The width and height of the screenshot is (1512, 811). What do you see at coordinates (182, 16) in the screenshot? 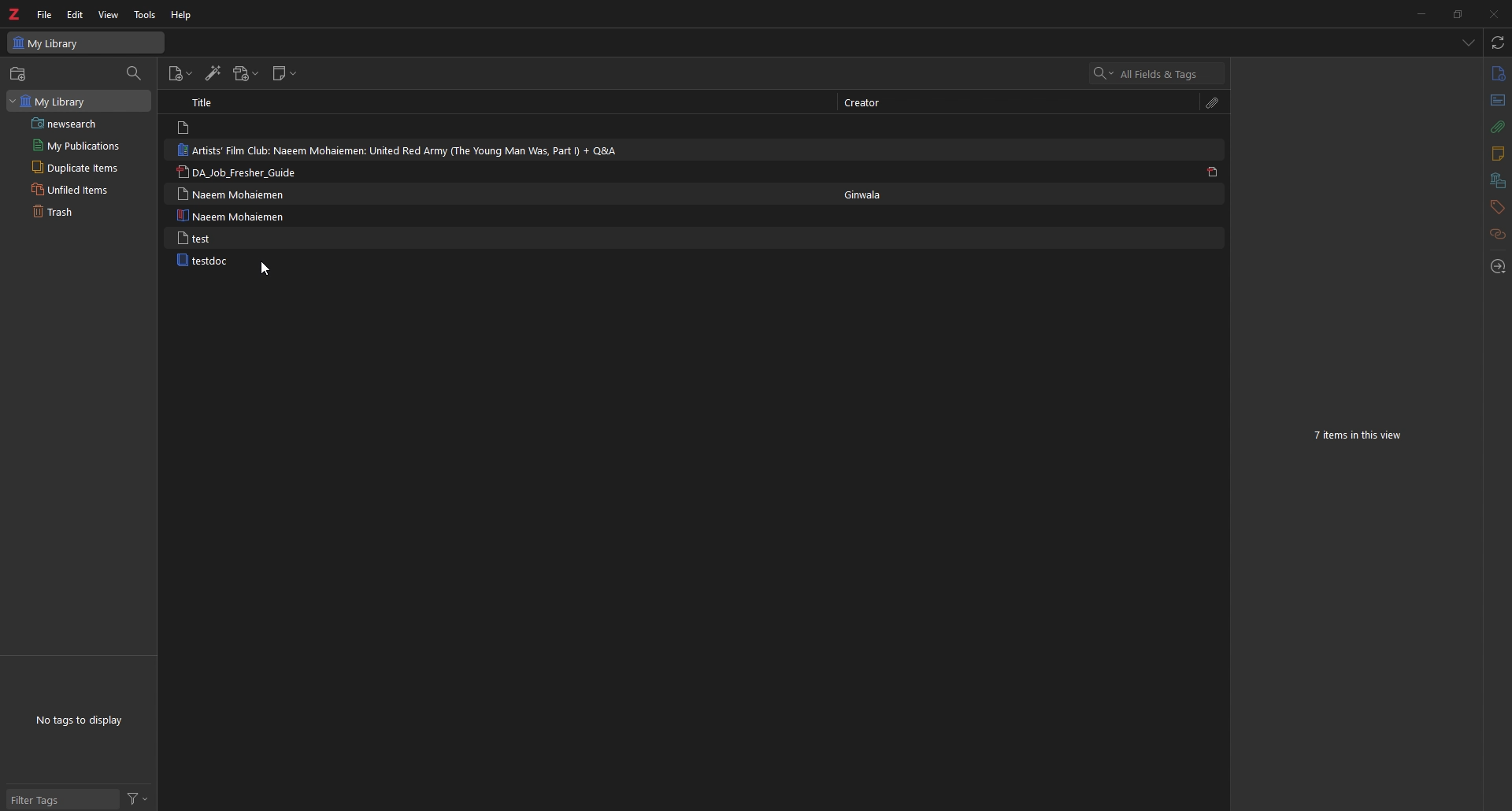
I see `help` at bounding box center [182, 16].